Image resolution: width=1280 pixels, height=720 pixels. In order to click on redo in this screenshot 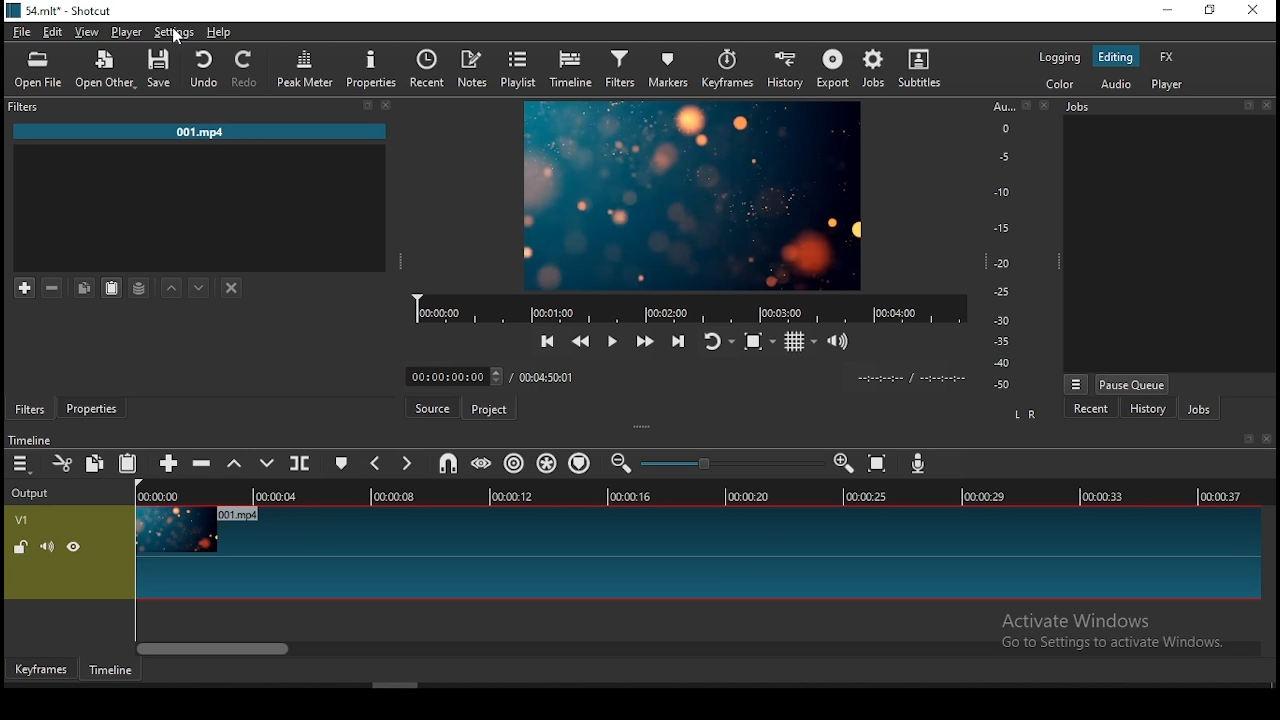, I will do `click(247, 69)`.